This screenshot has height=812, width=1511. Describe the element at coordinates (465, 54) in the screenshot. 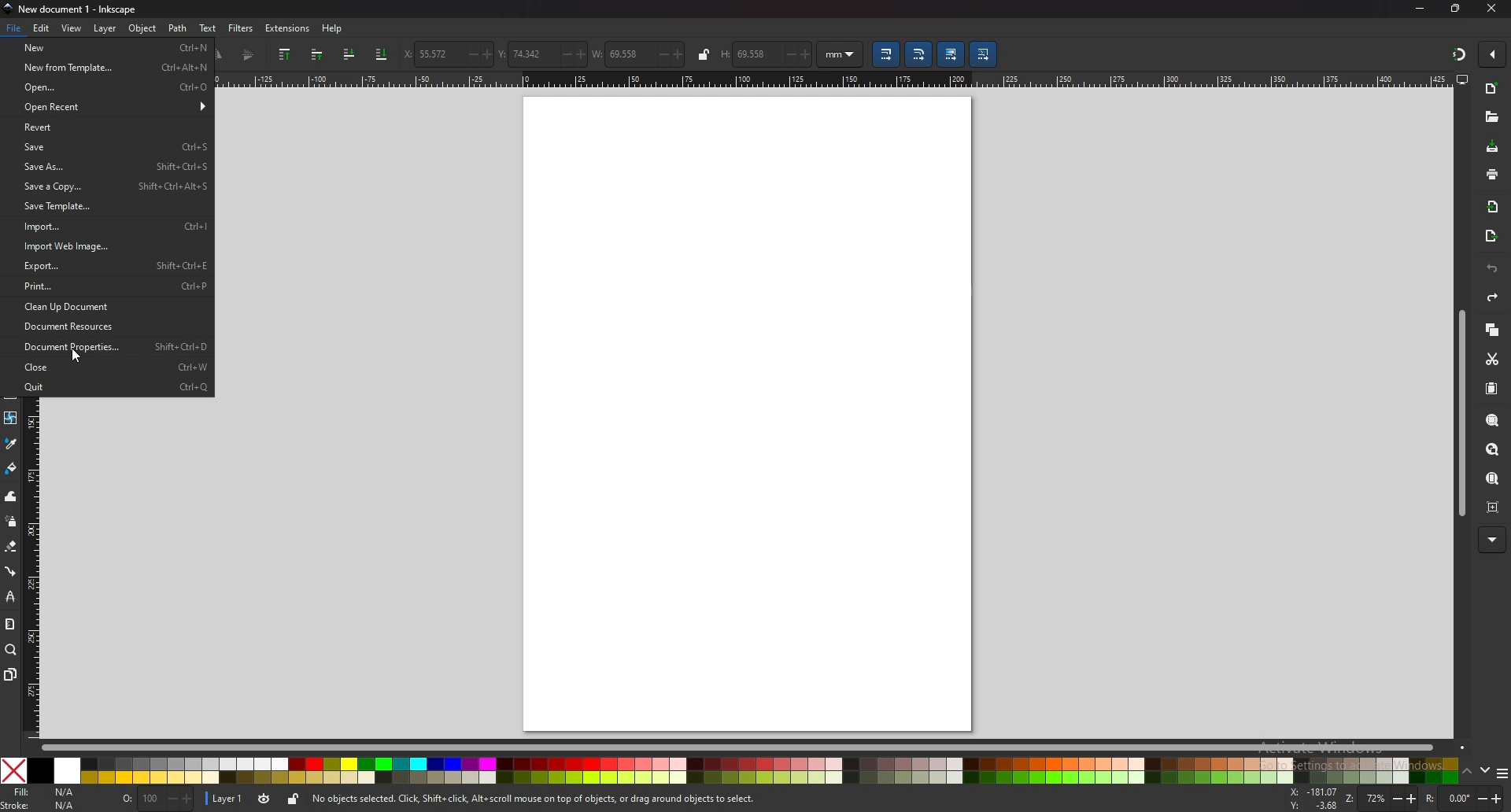

I see `-` at that location.